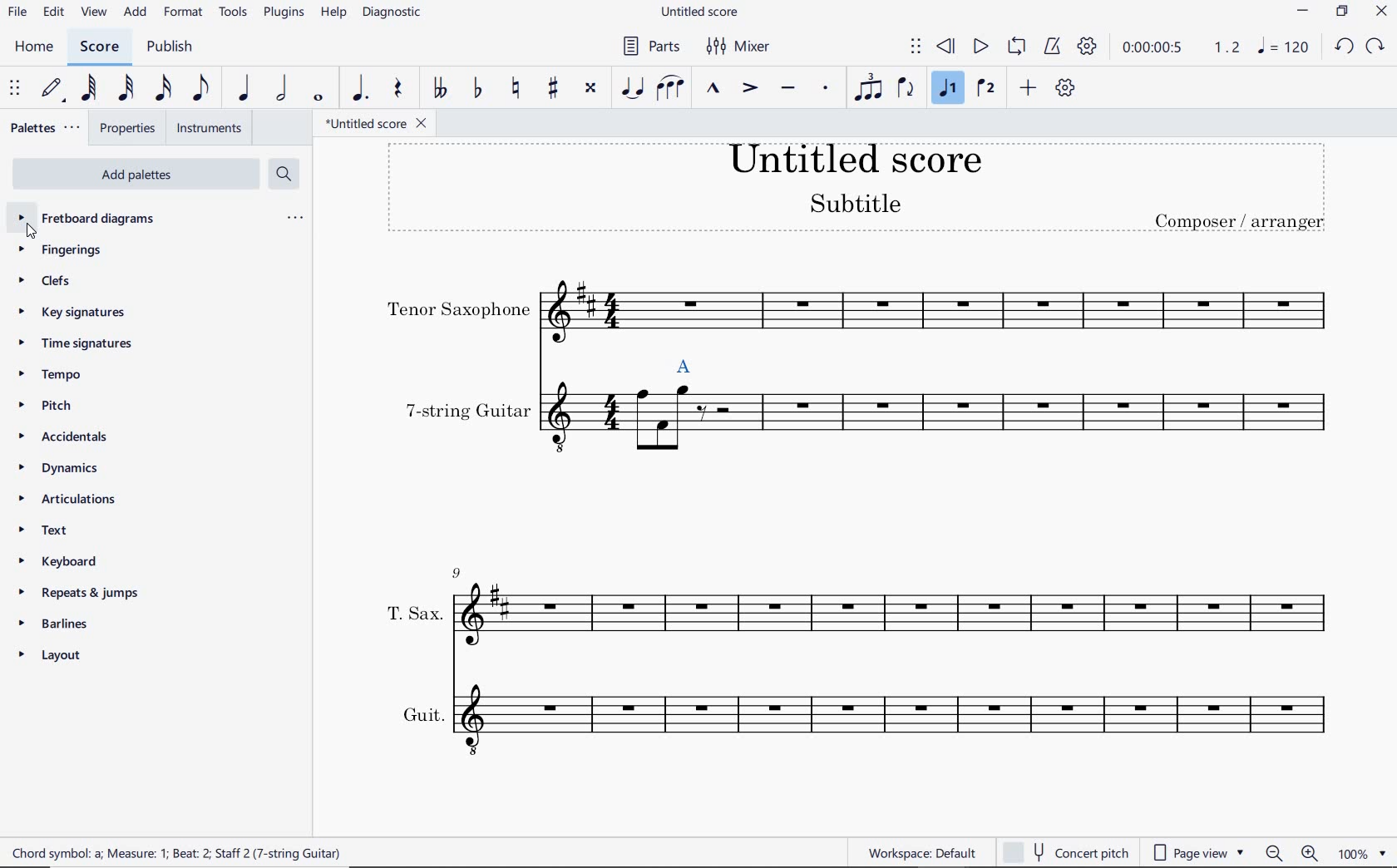  Describe the element at coordinates (128, 130) in the screenshot. I see `PROPERTIES` at that location.